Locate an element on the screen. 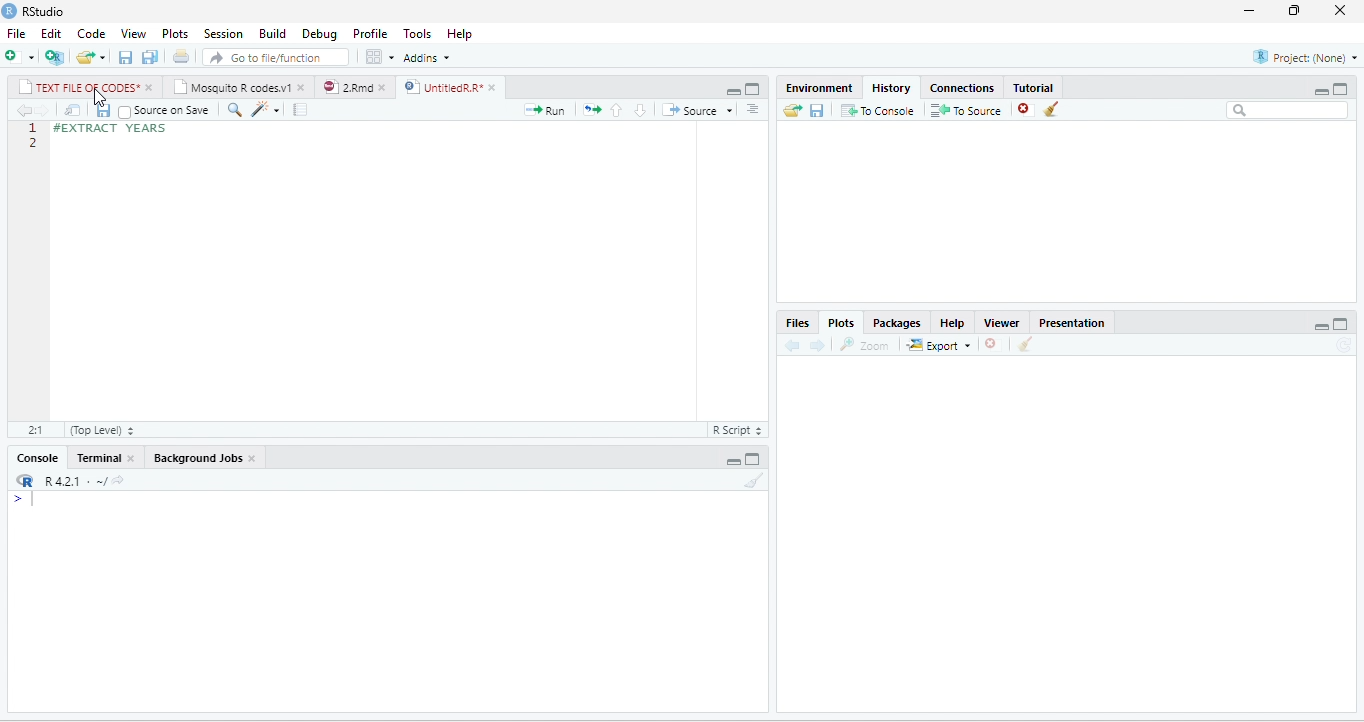  Mosquito R codes.v1 is located at coordinates (232, 87).